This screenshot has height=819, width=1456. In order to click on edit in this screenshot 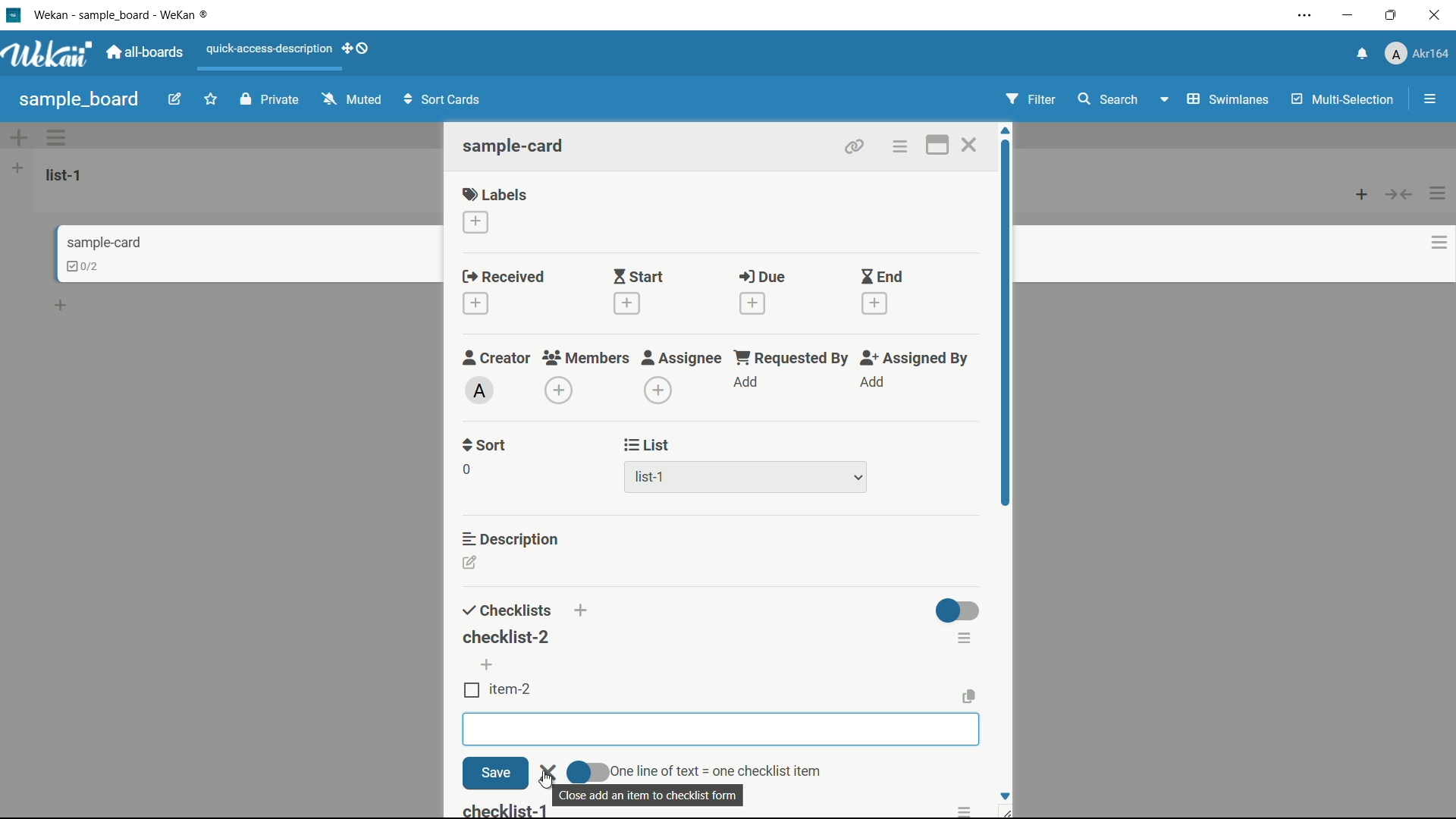, I will do `click(175, 101)`.